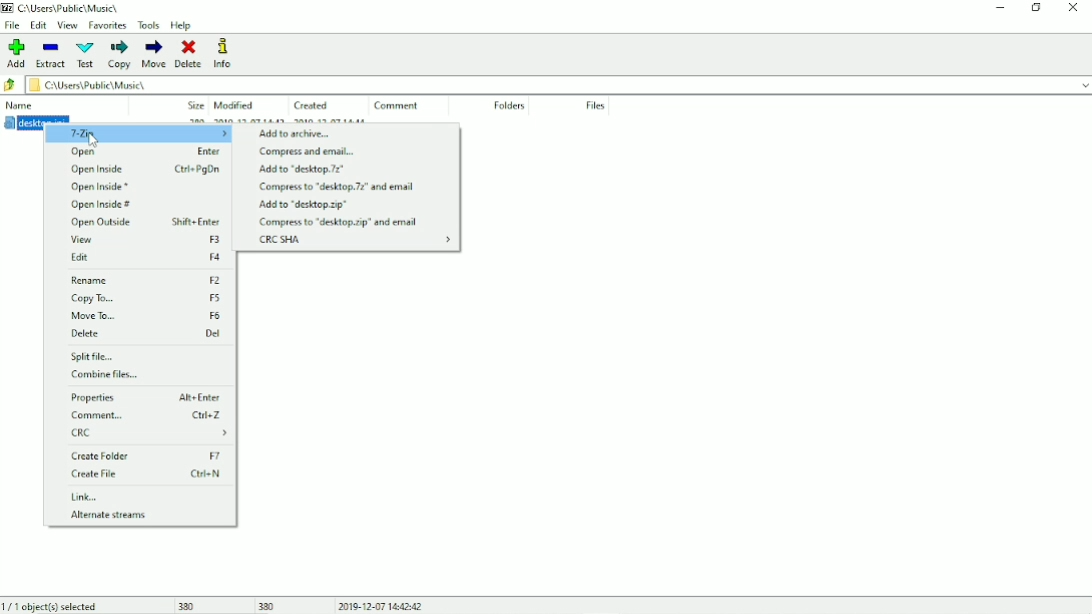  Describe the element at coordinates (149, 25) in the screenshot. I see `Tools` at that location.